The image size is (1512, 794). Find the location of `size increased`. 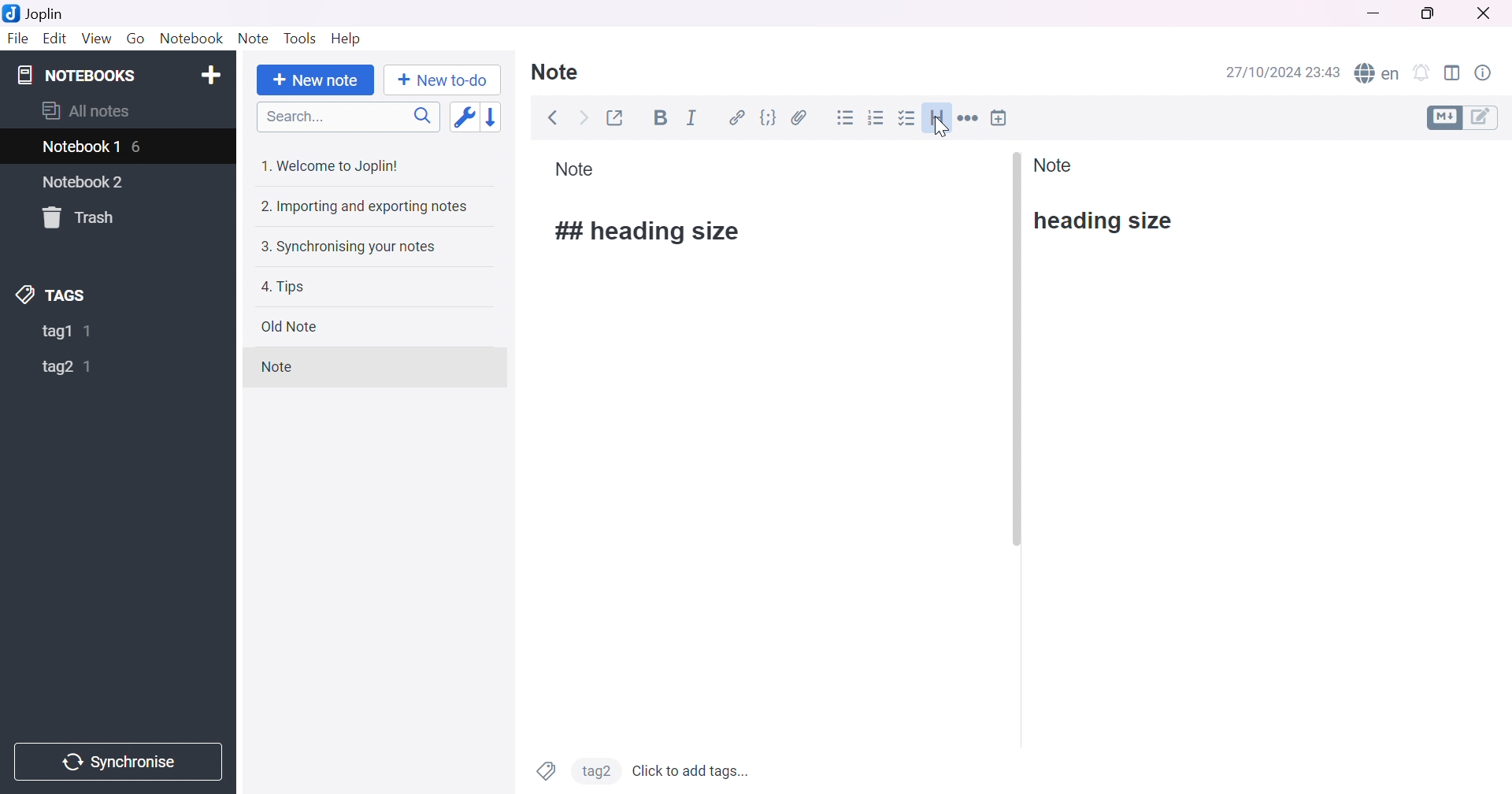

size increased is located at coordinates (650, 232).